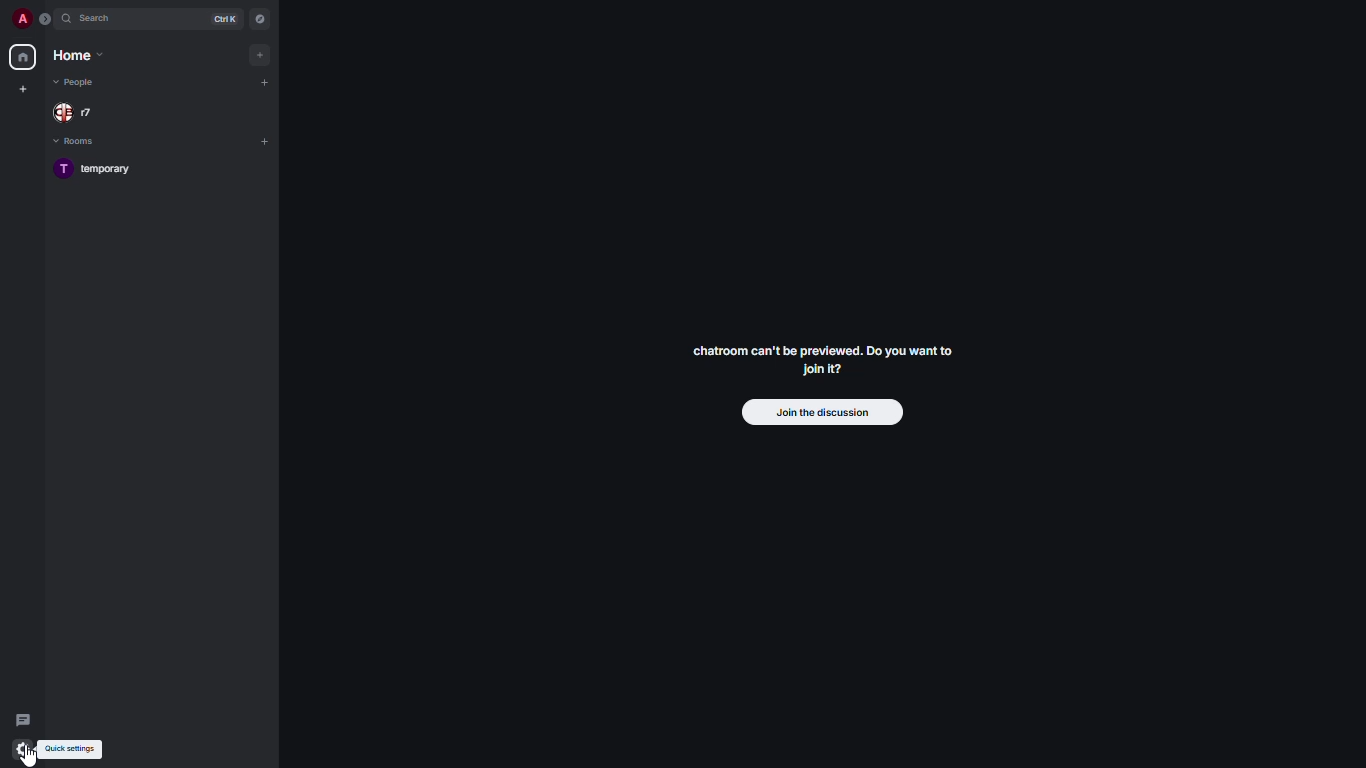  I want to click on quick settings, so click(75, 748).